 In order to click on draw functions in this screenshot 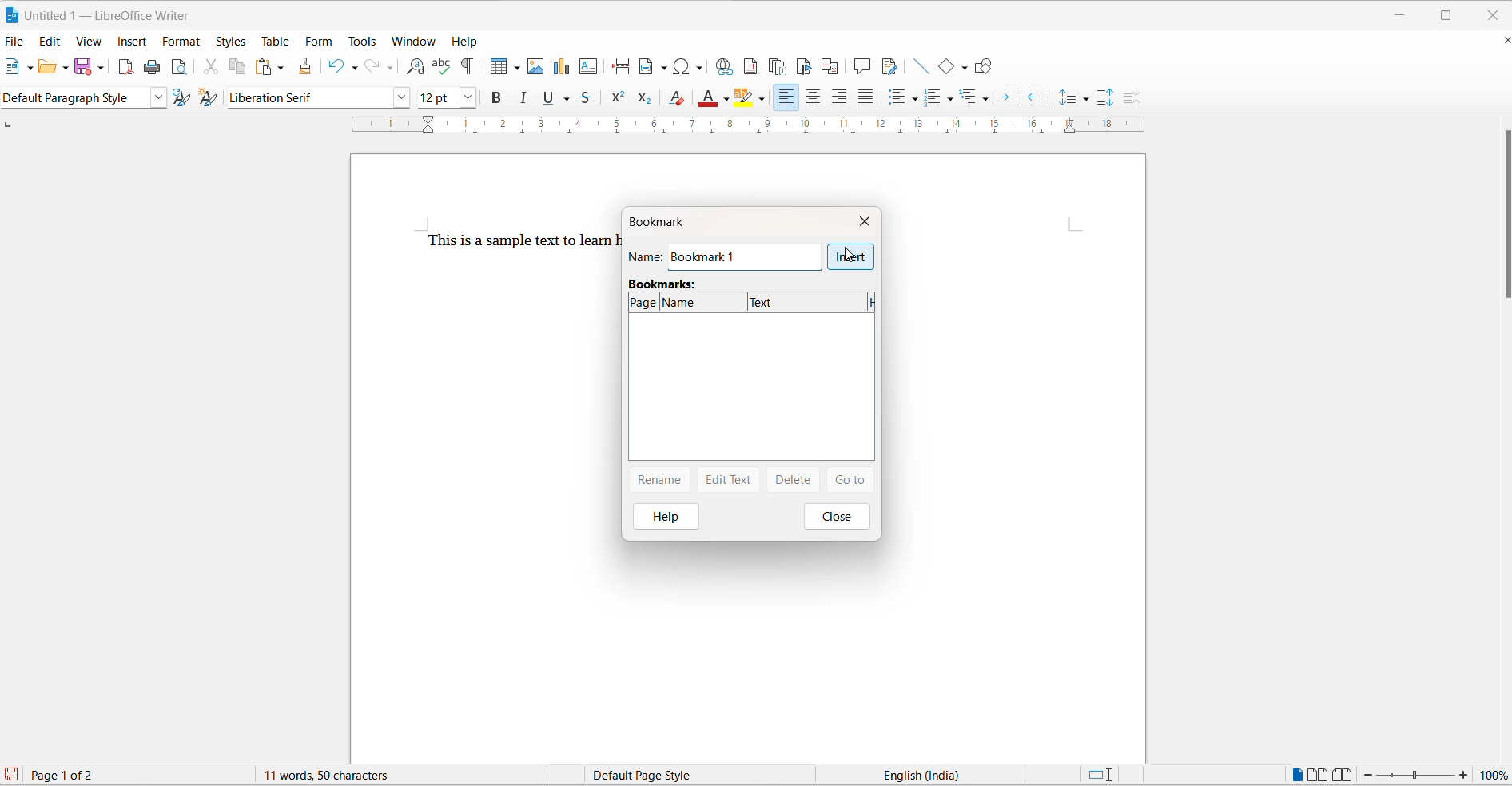, I will do `click(983, 65)`.